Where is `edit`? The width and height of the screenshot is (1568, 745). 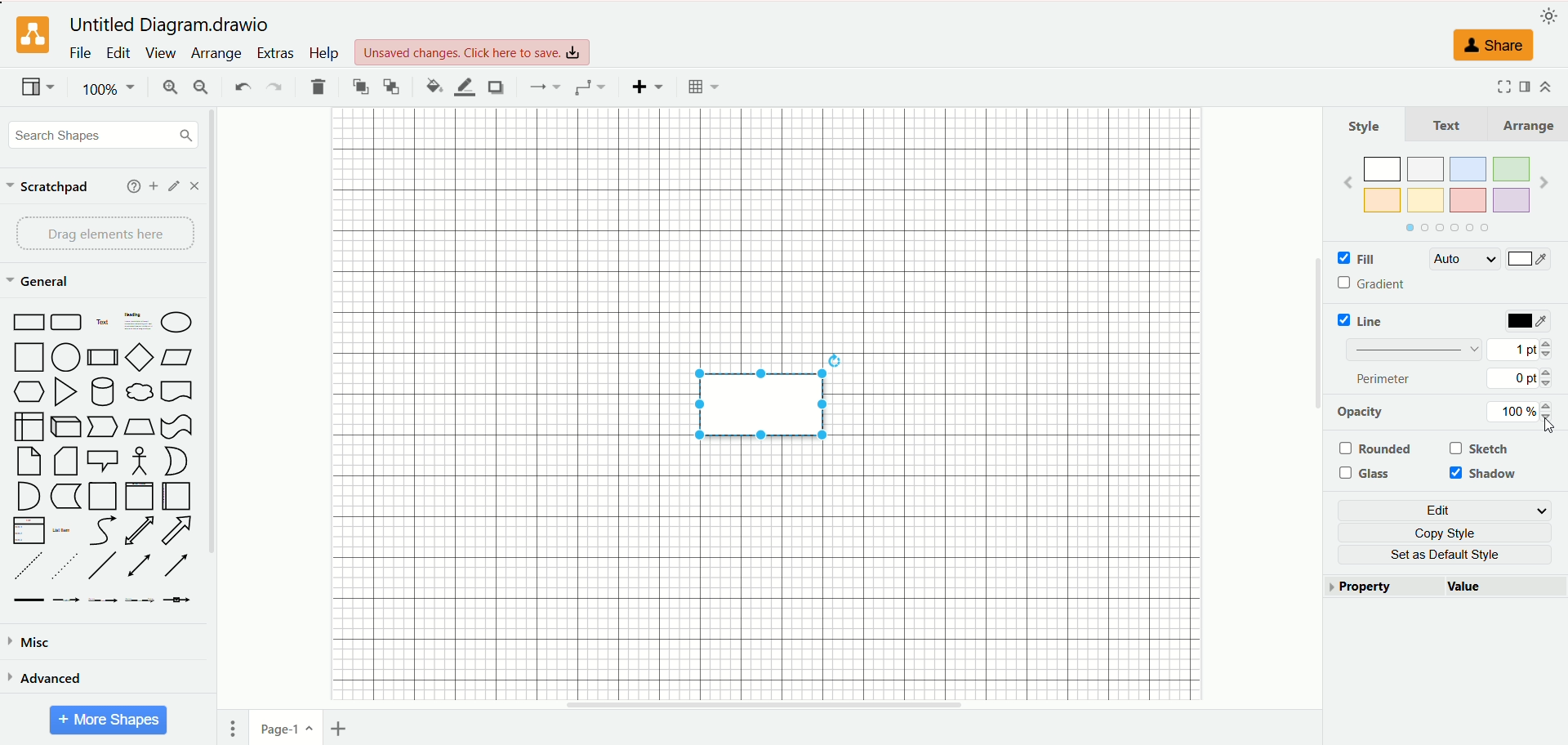 edit is located at coordinates (1448, 511).